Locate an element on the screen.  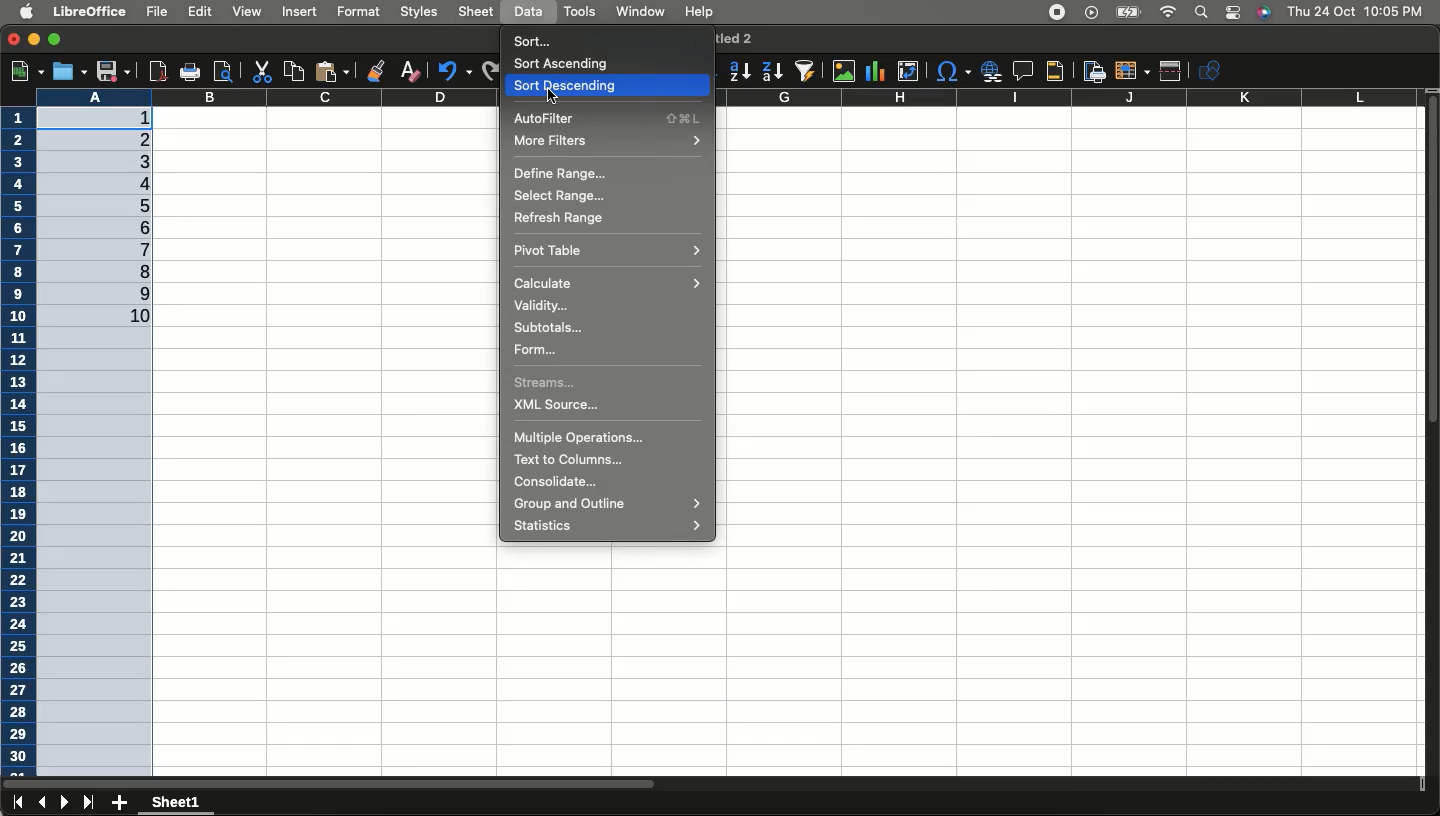
Insert image is located at coordinates (846, 72).